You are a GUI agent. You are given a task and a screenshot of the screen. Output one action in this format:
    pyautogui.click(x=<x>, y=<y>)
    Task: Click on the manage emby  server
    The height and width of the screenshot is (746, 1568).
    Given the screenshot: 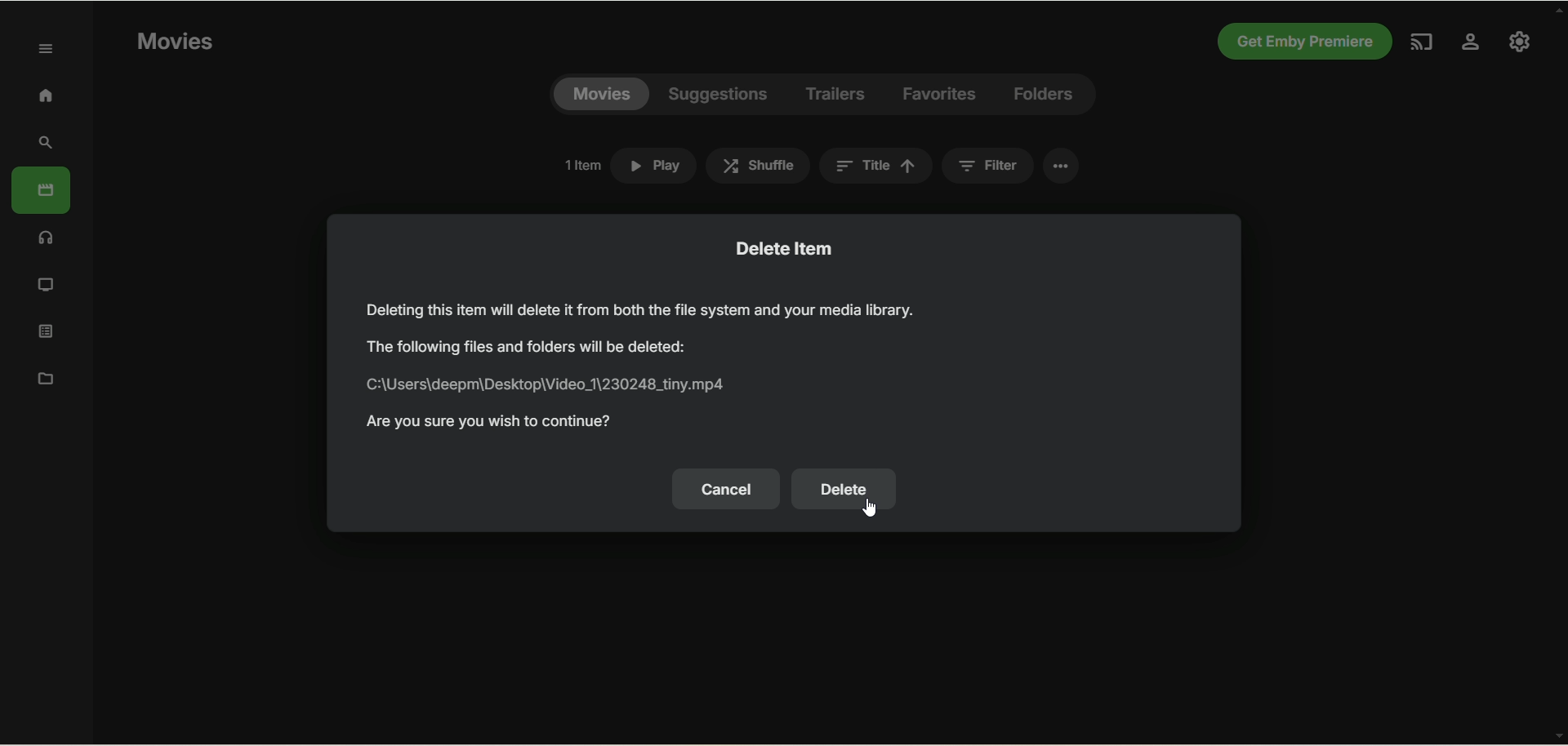 What is the action you would take?
    pyautogui.click(x=1520, y=41)
    